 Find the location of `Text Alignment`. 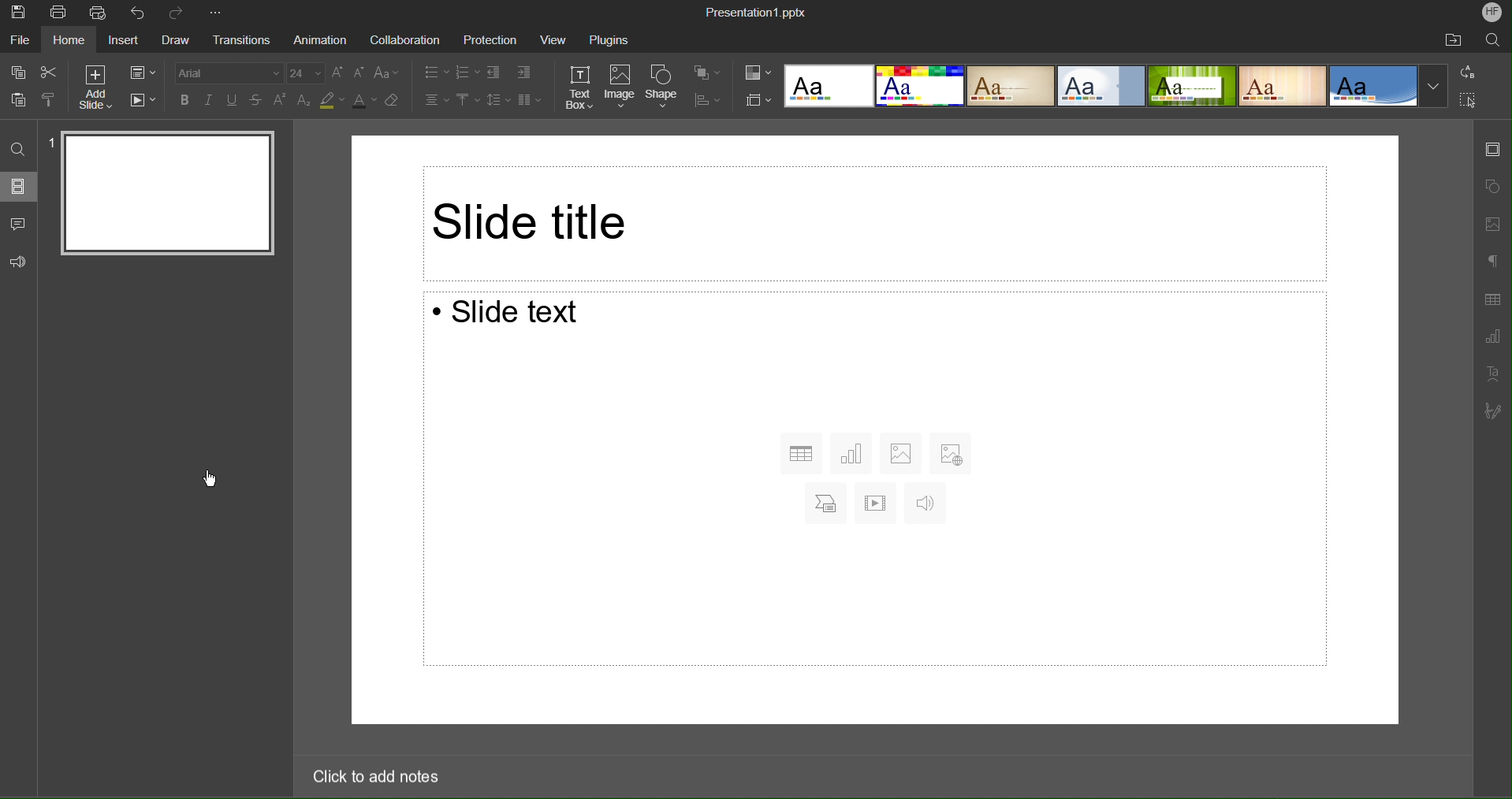

Text Alignment is located at coordinates (437, 98).